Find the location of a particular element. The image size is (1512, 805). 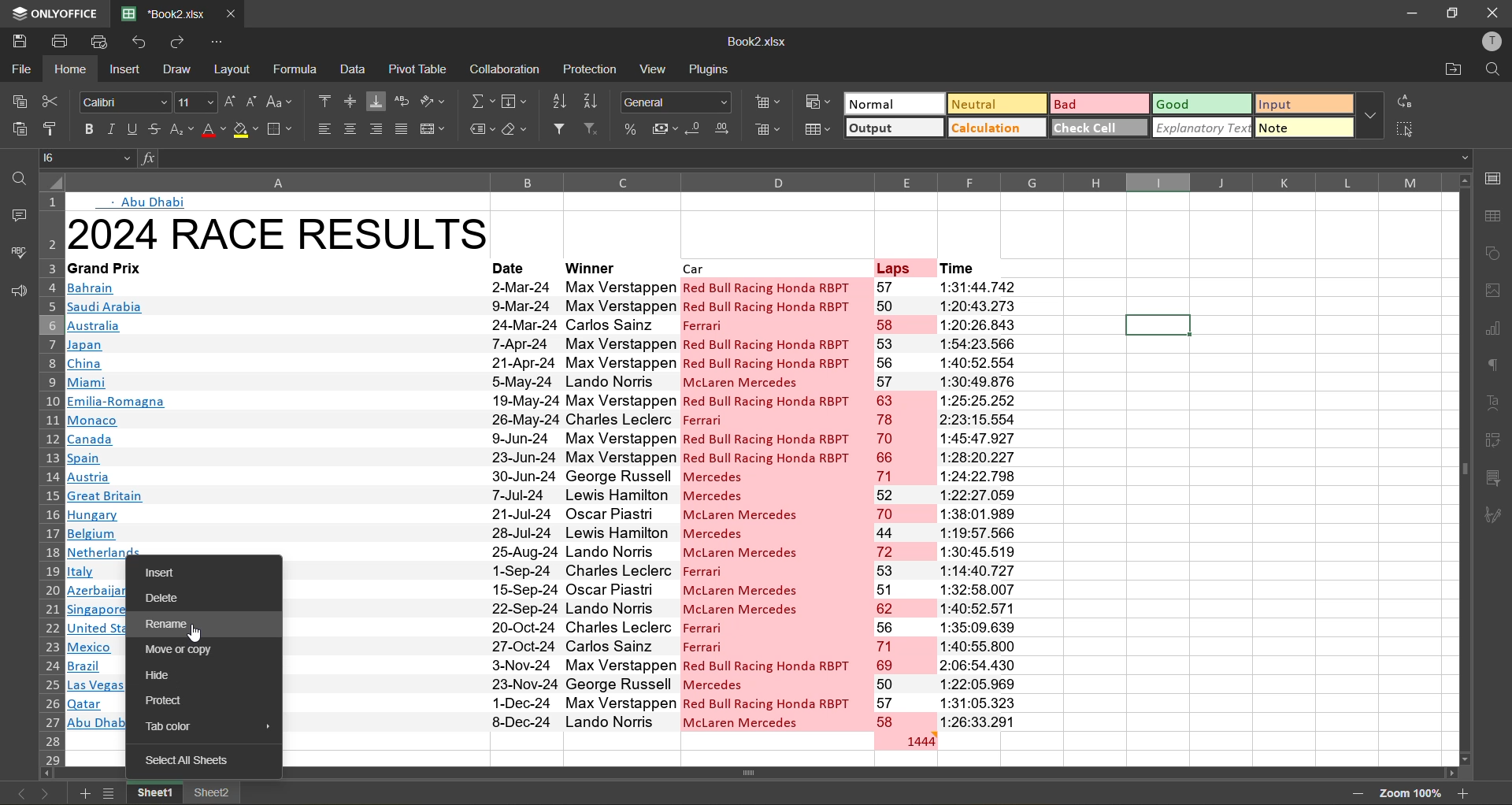

plugins is located at coordinates (709, 67).